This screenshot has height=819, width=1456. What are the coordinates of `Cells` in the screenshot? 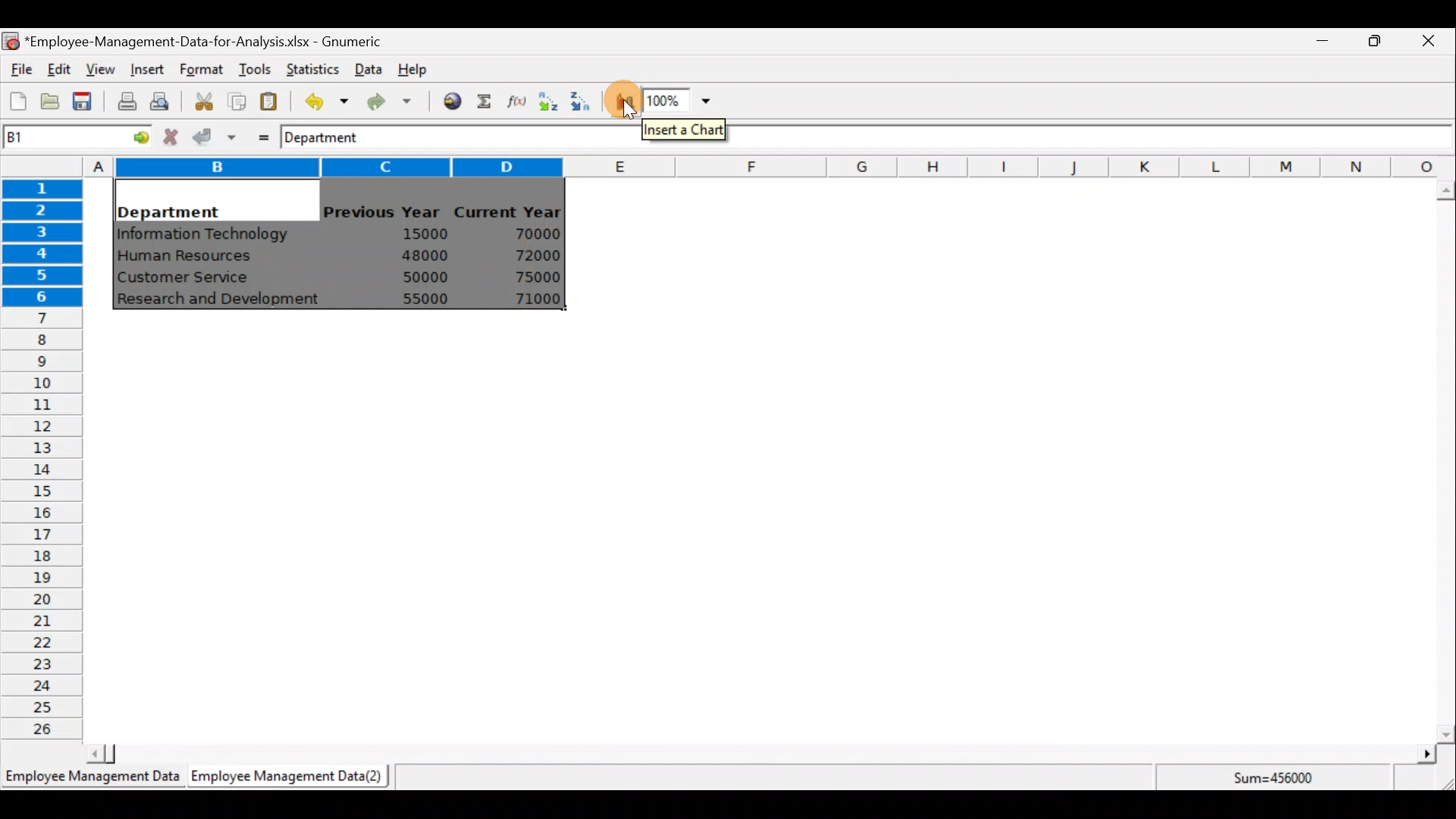 It's located at (761, 534).